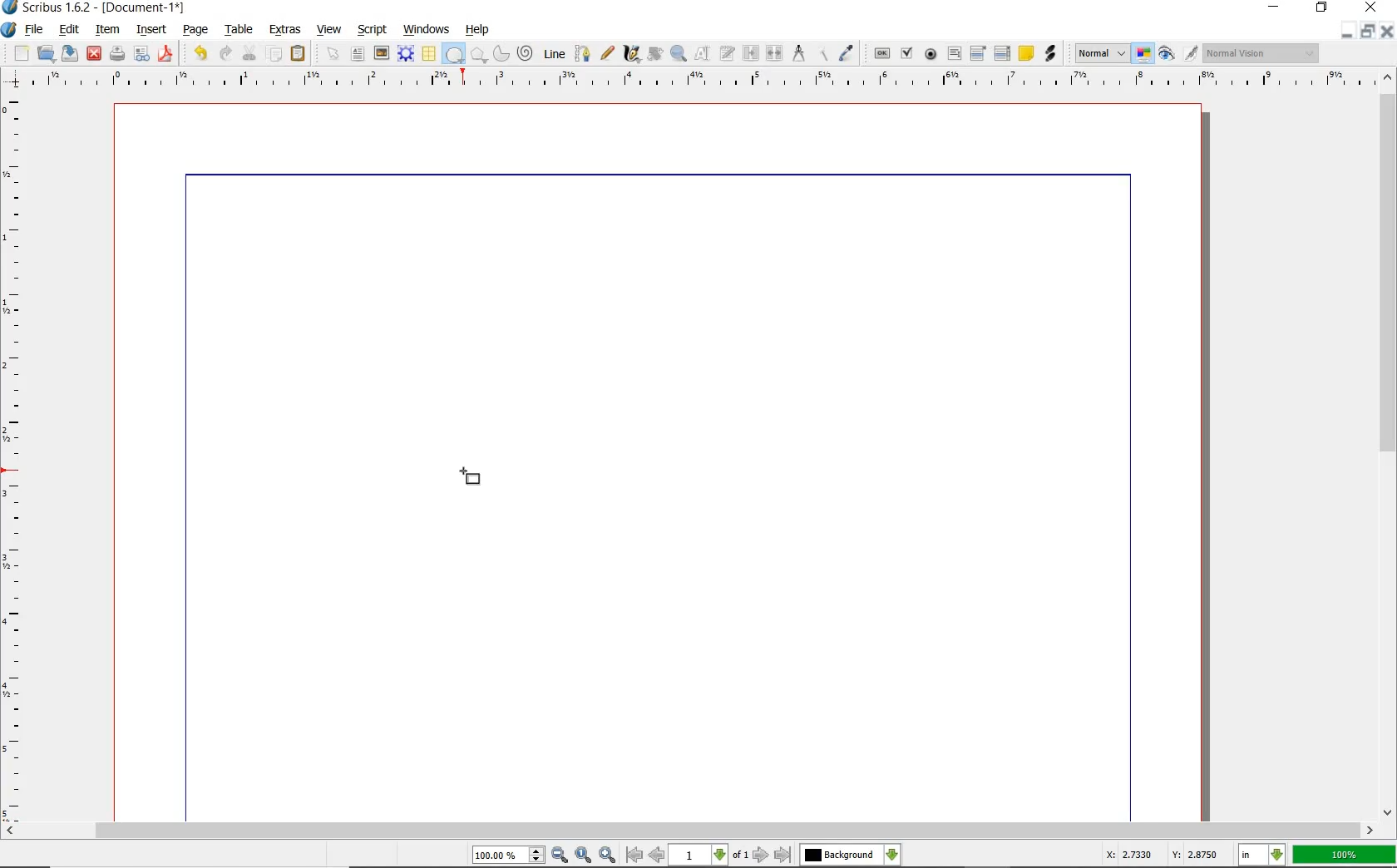 Image resolution: width=1397 pixels, height=868 pixels. Describe the element at coordinates (678, 54) in the screenshot. I see `ZOOM IN OR OUT` at that location.